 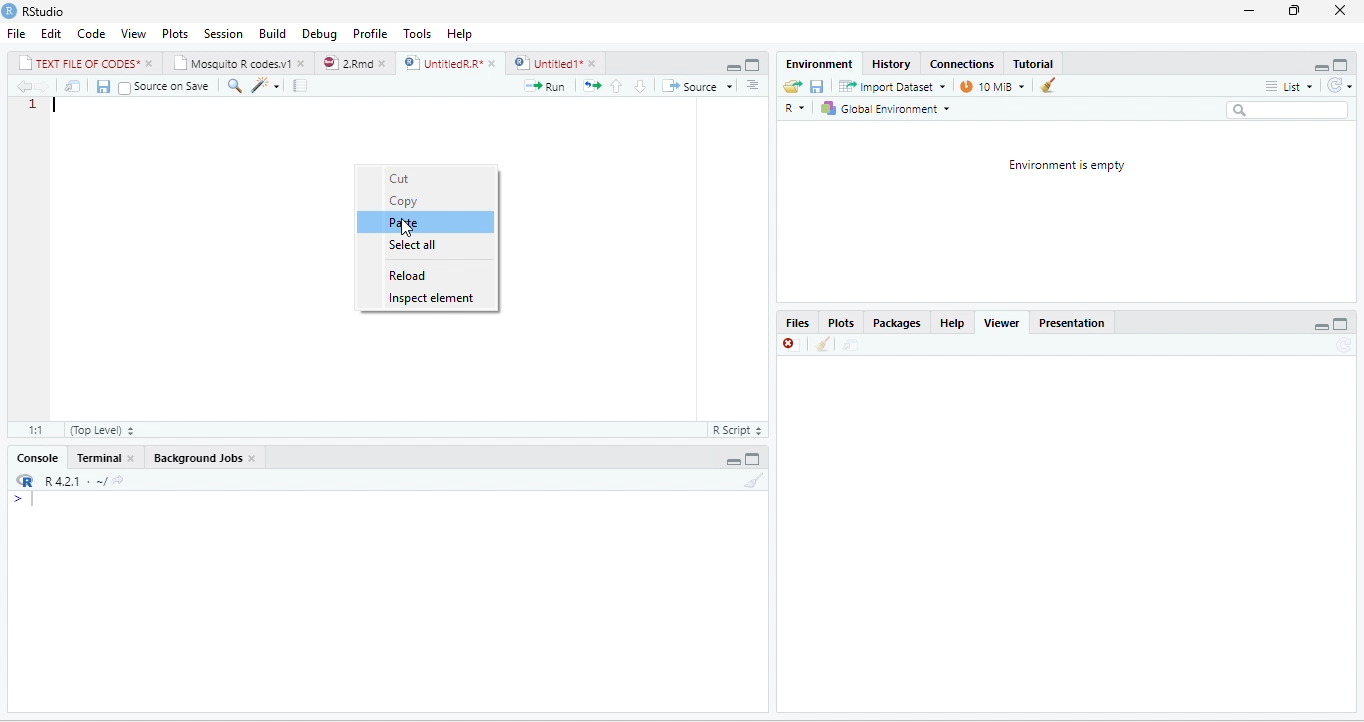 I want to click on close, so click(x=133, y=458).